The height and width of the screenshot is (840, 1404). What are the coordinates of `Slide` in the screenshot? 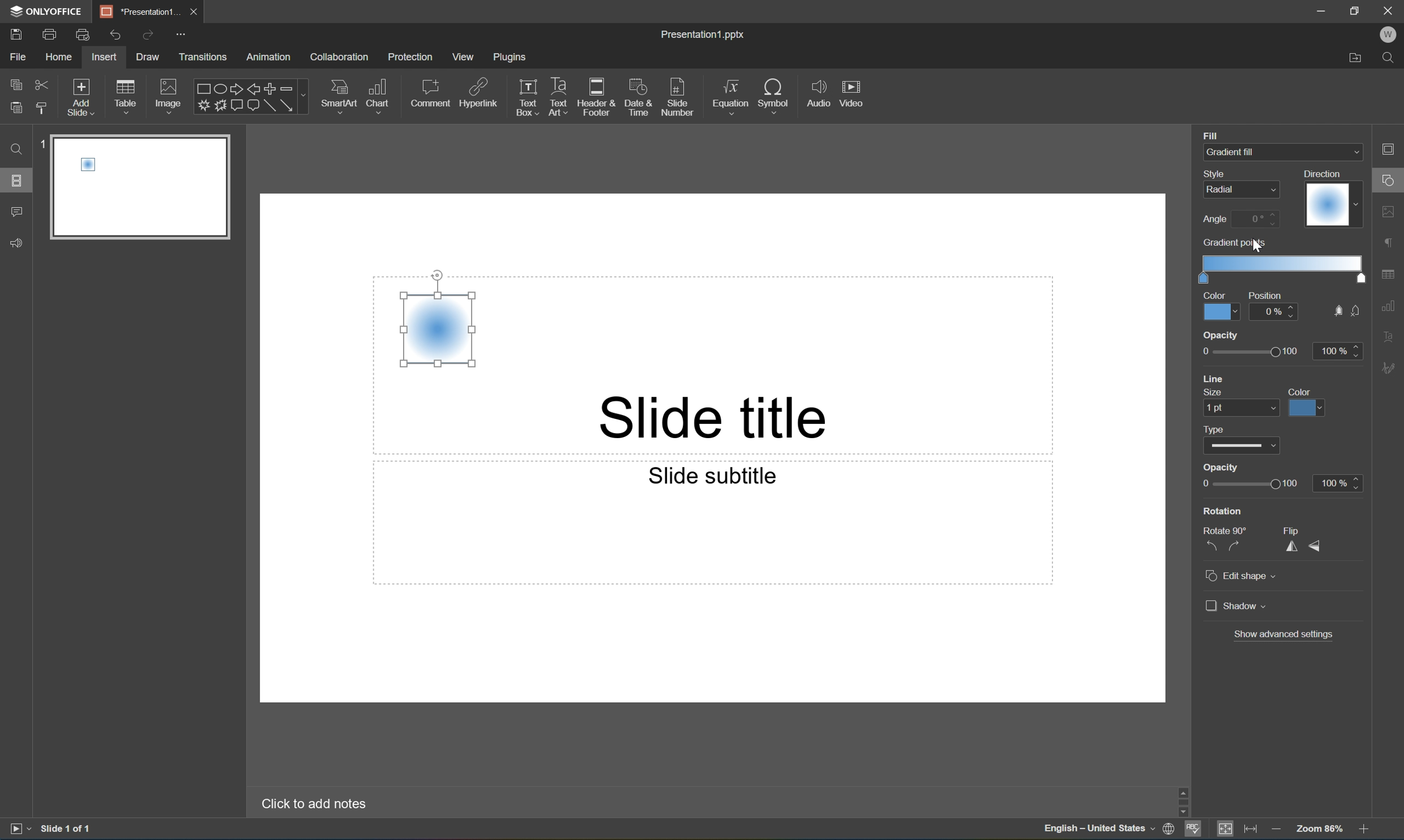 It's located at (145, 185).